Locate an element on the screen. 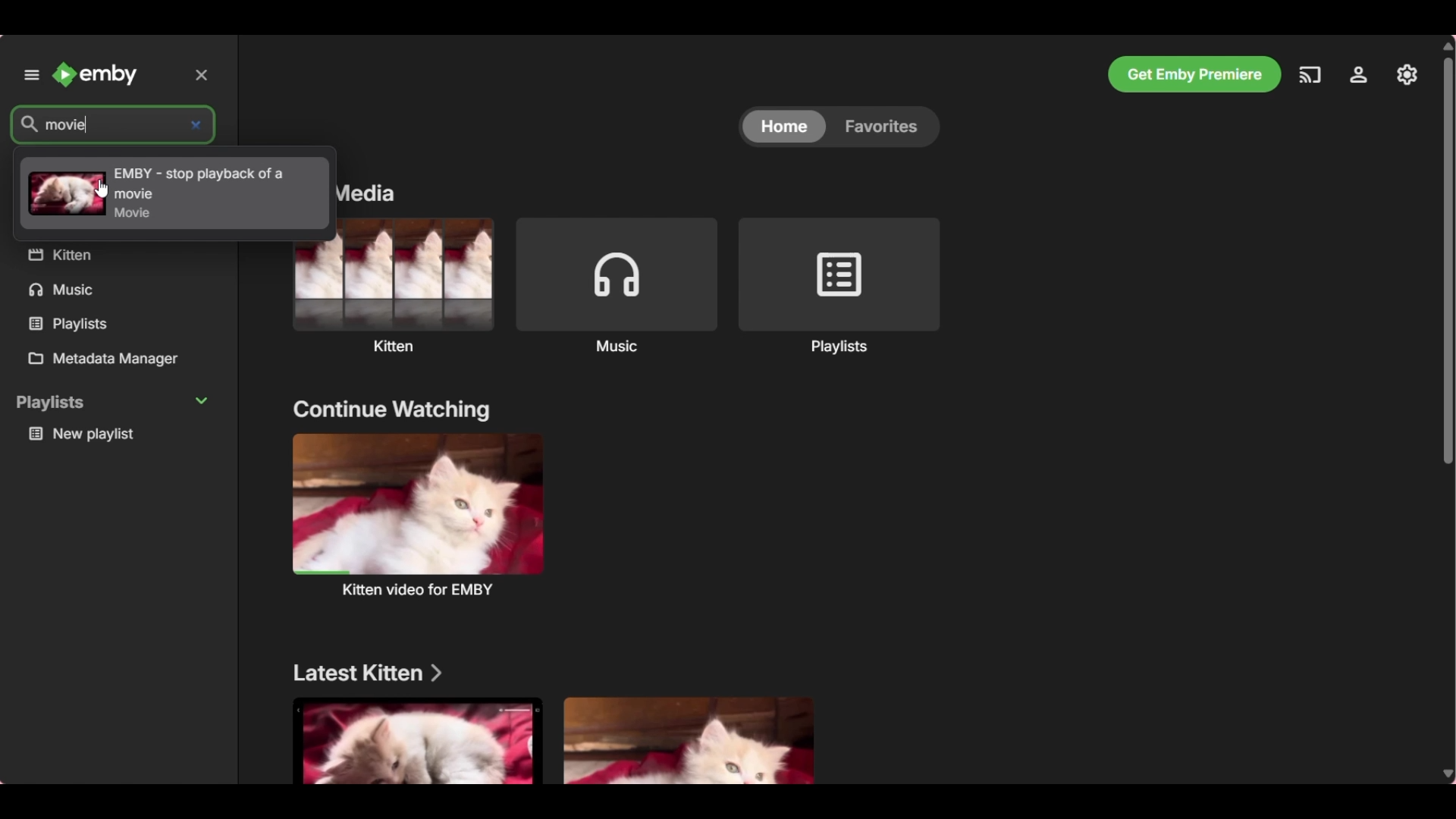  Kitten is located at coordinates (394, 285).